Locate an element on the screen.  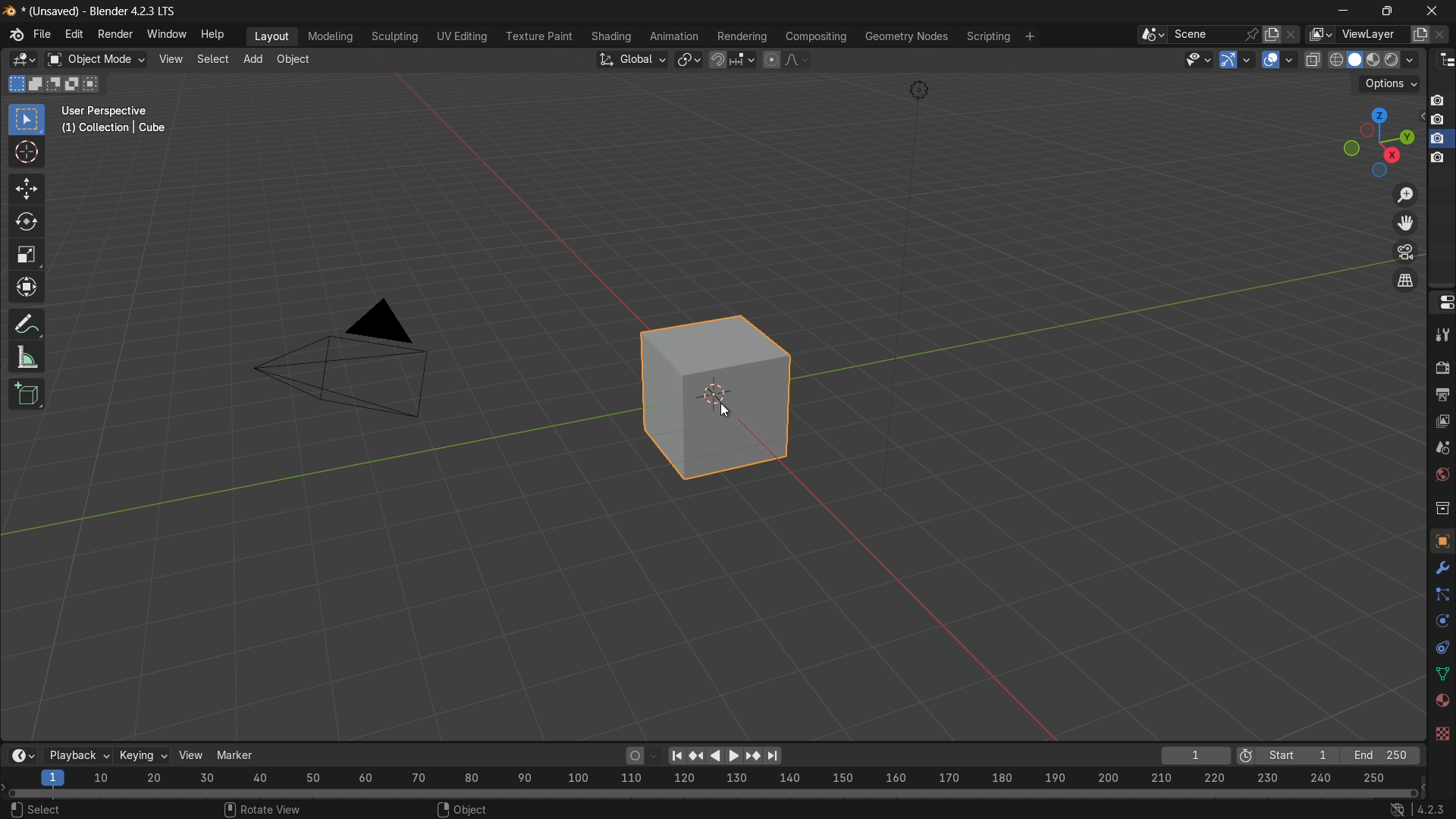
object is located at coordinates (739, 403).